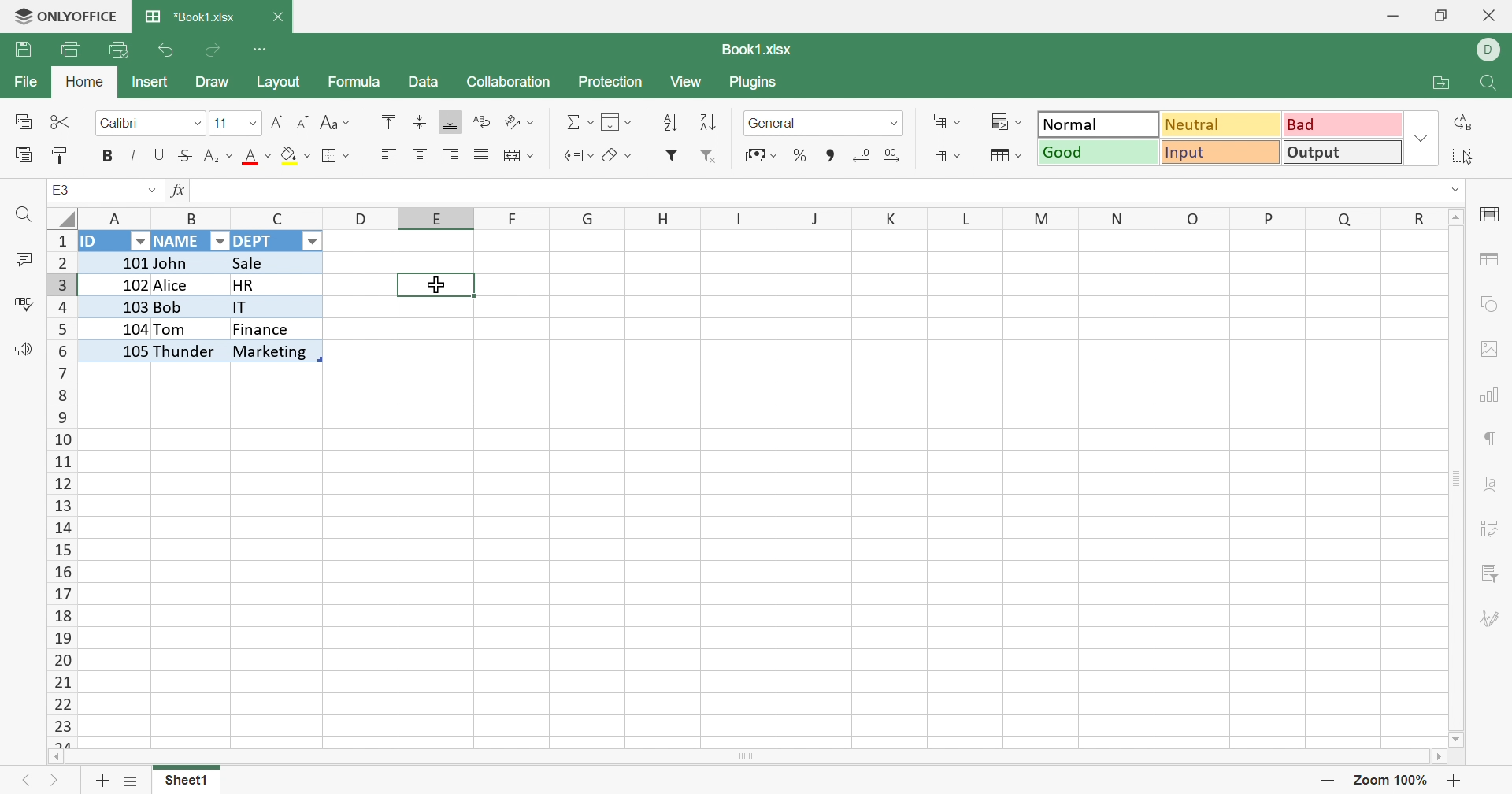 The width and height of the screenshot is (1512, 794). Describe the element at coordinates (54, 757) in the screenshot. I see `Scroll Left` at that location.